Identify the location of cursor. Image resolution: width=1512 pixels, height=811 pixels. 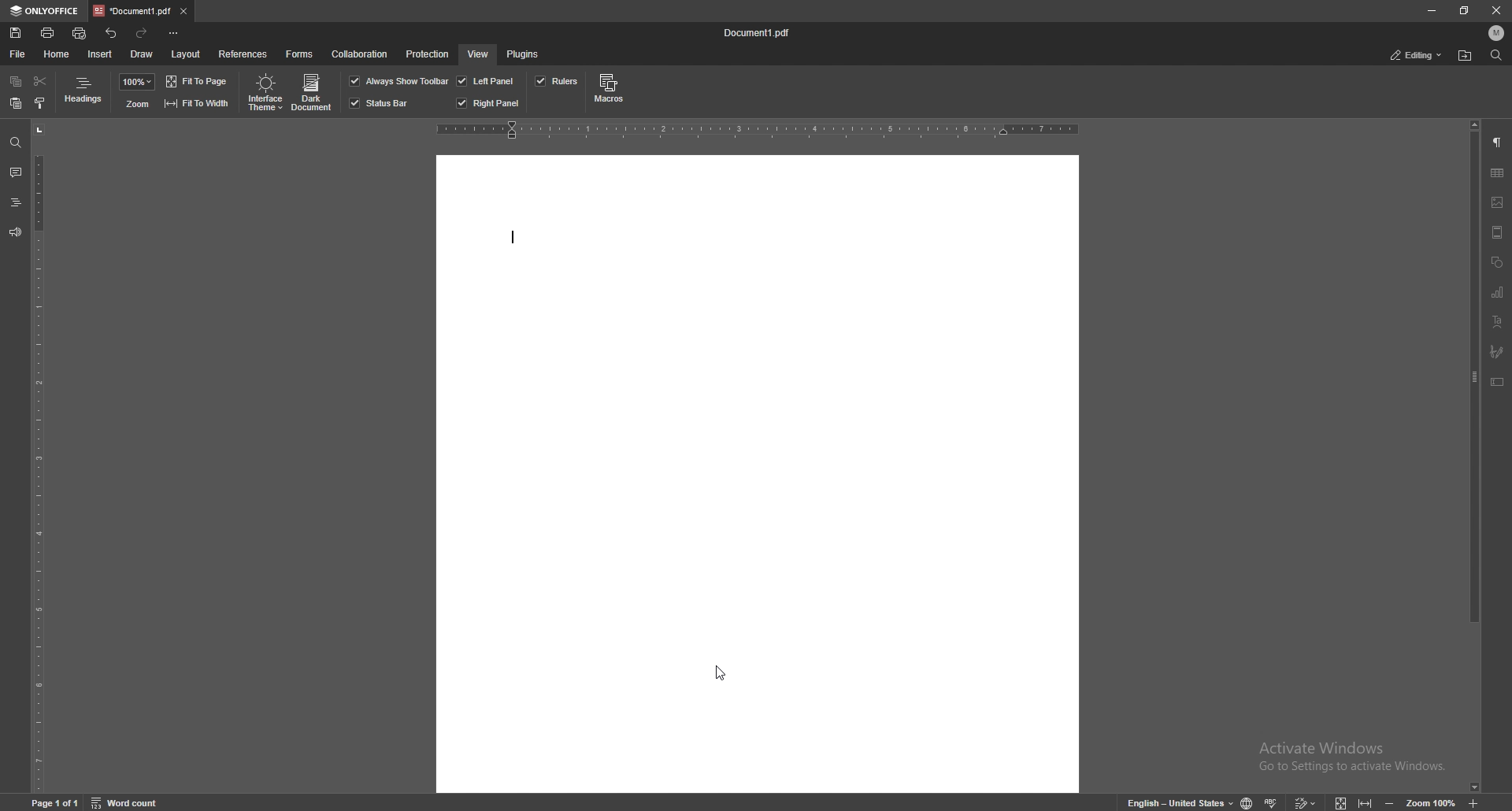
(720, 674).